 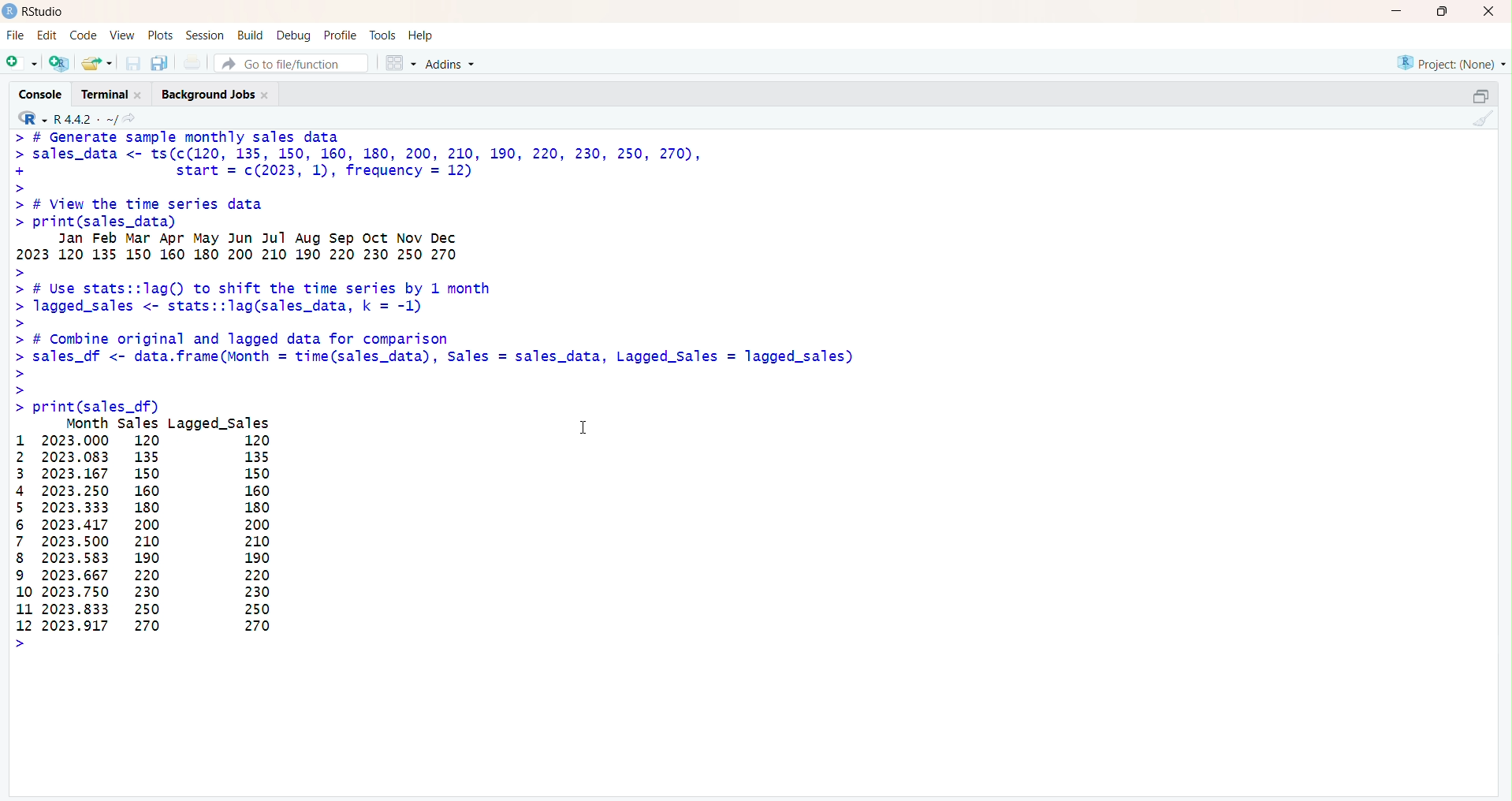 What do you see at coordinates (1449, 61) in the screenshot?
I see `project (none)` at bounding box center [1449, 61].